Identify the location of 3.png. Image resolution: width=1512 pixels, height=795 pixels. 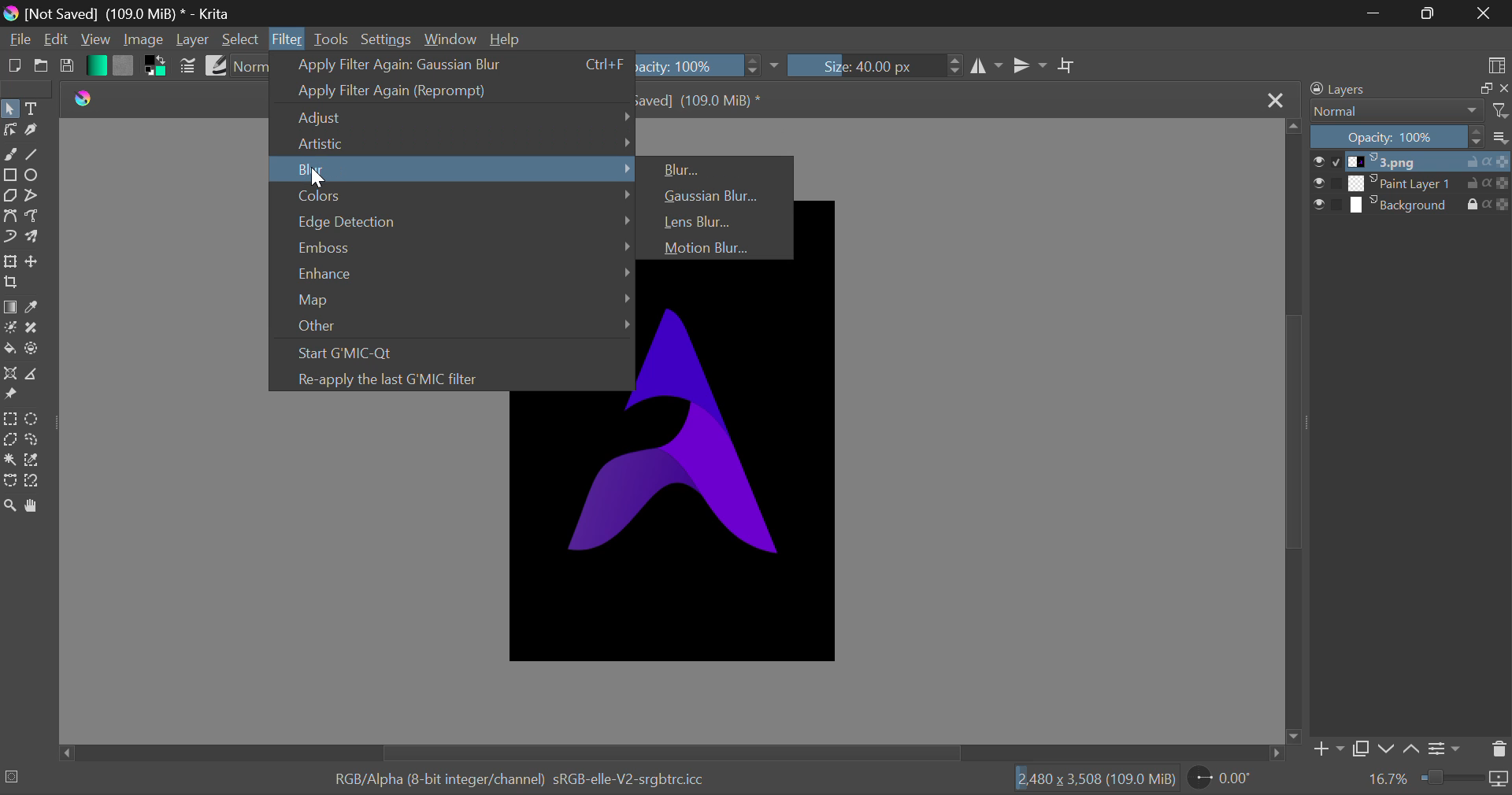
(1412, 162).